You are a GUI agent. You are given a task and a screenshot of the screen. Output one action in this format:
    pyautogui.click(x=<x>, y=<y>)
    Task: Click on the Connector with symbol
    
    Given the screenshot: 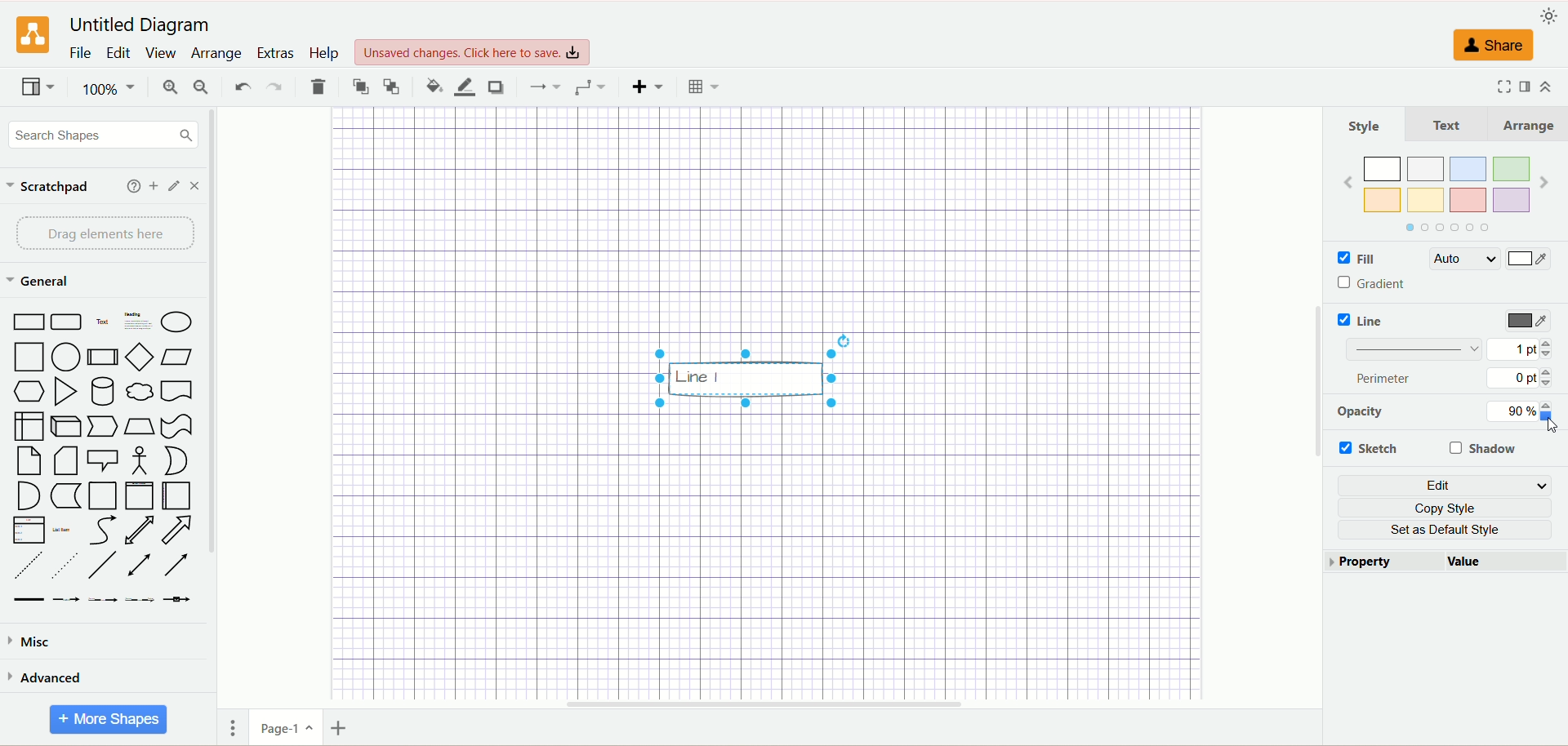 What is the action you would take?
    pyautogui.click(x=176, y=600)
    